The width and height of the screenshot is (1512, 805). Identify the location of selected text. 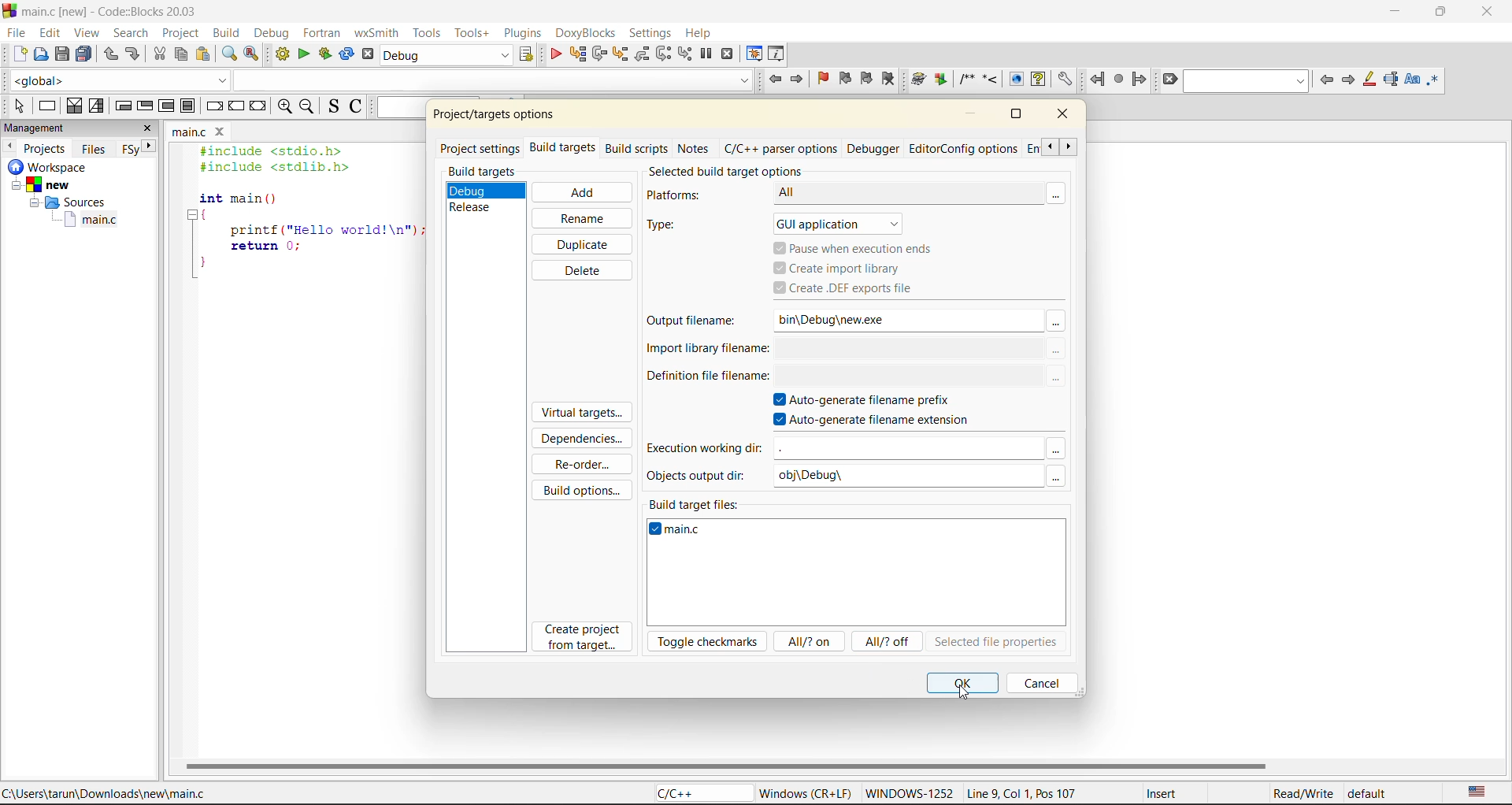
(1392, 80).